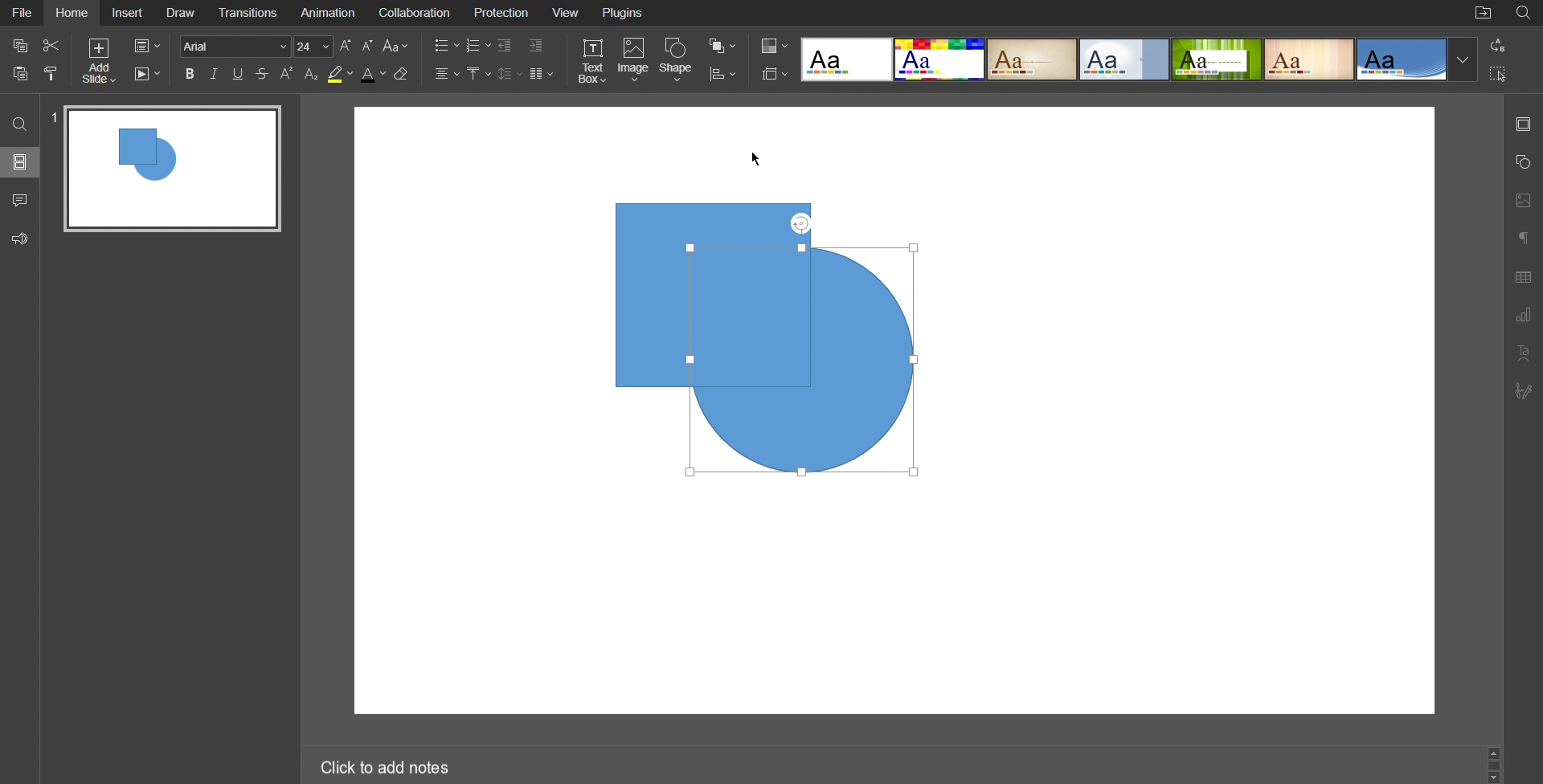 The width and height of the screenshot is (1543, 784). What do you see at coordinates (412, 13) in the screenshot?
I see `Collaboration` at bounding box center [412, 13].